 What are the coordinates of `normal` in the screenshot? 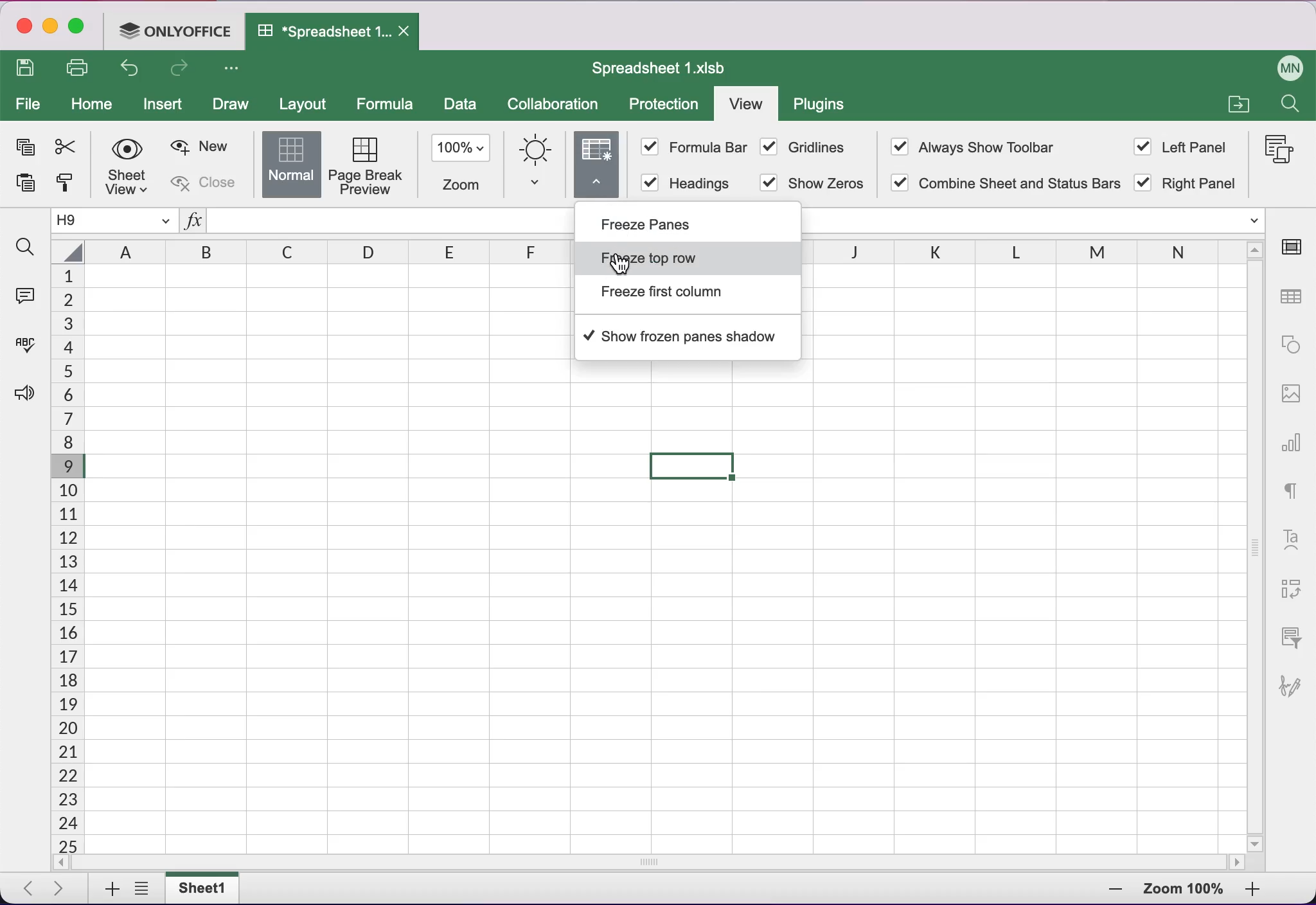 It's located at (289, 165).